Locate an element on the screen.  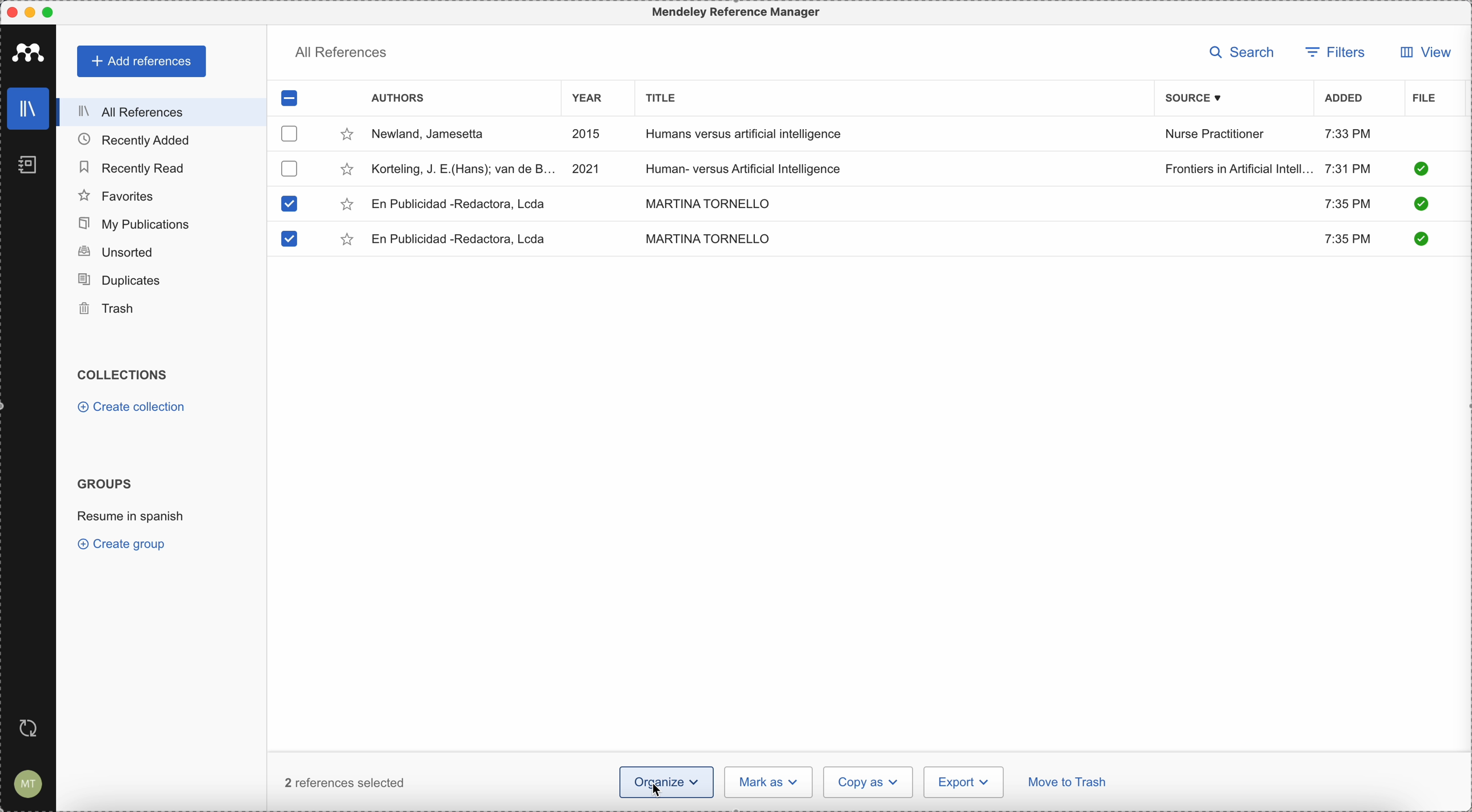
Korteling, J.E.(Hans) is located at coordinates (464, 169).